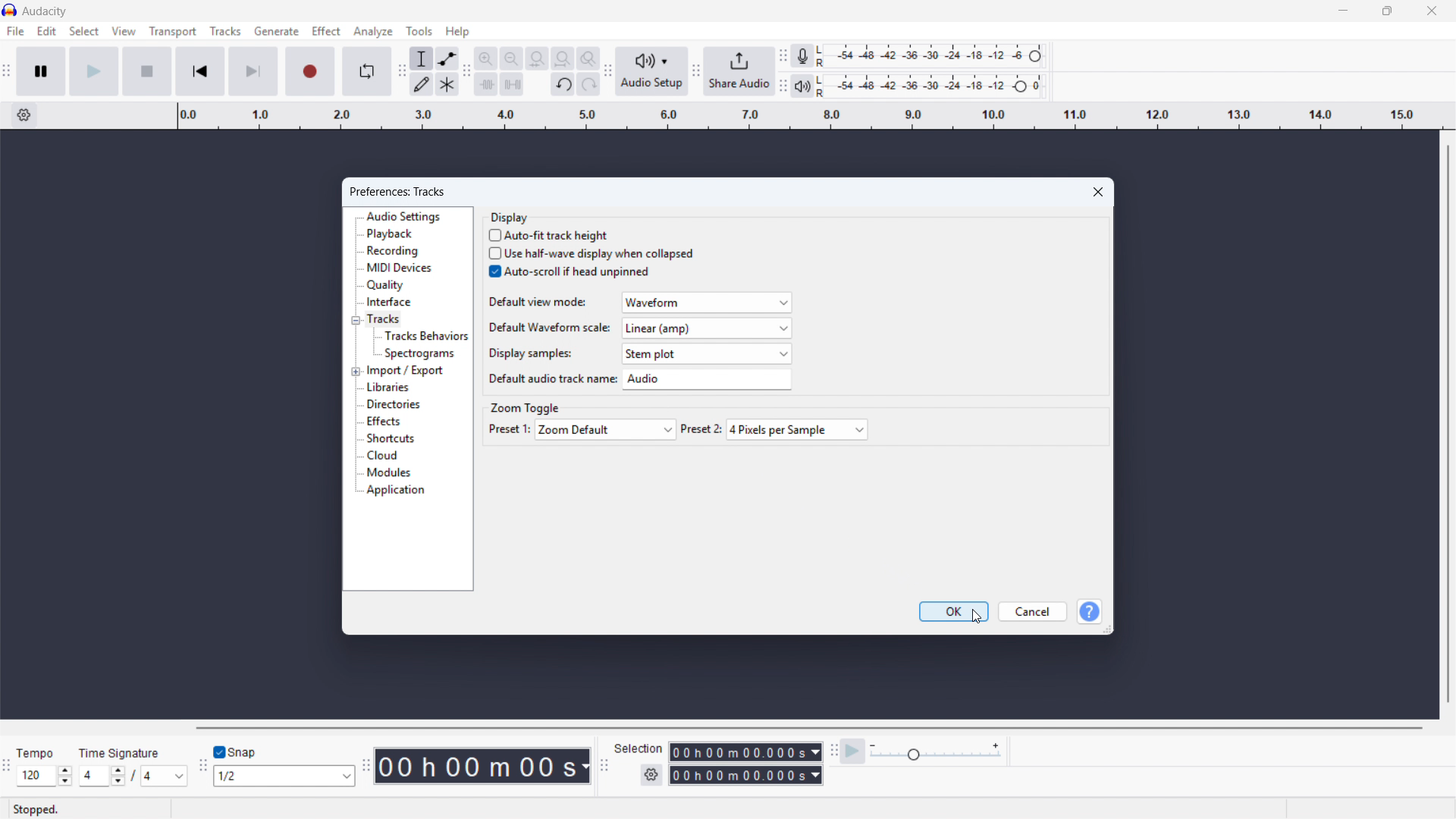 This screenshot has width=1456, height=819. Describe the element at coordinates (537, 58) in the screenshot. I see `fit selection to width` at that location.